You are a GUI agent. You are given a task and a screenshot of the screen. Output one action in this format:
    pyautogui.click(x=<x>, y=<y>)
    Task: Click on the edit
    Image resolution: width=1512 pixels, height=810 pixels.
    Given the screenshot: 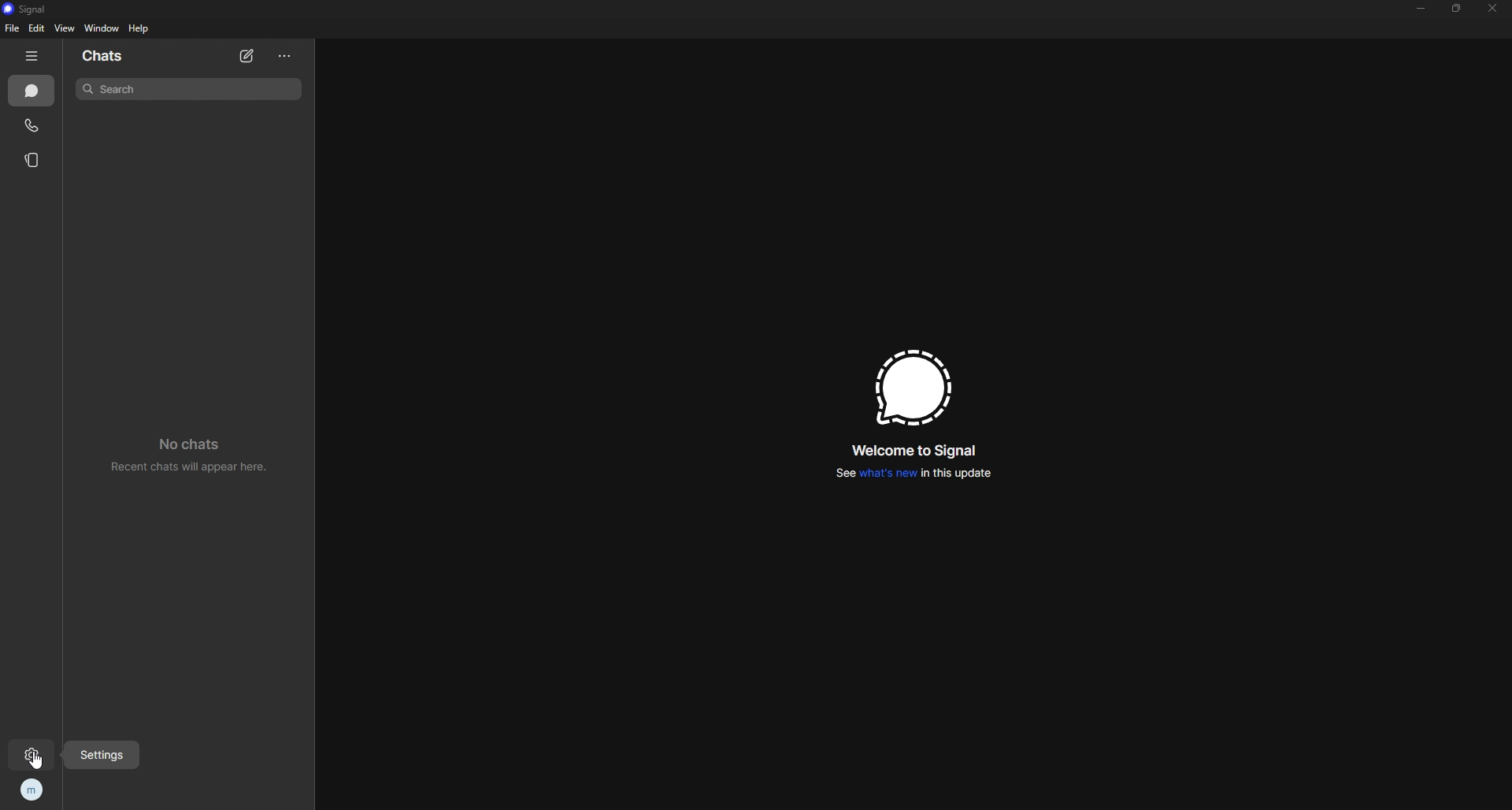 What is the action you would take?
    pyautogui.click(x=38, y=28)
    